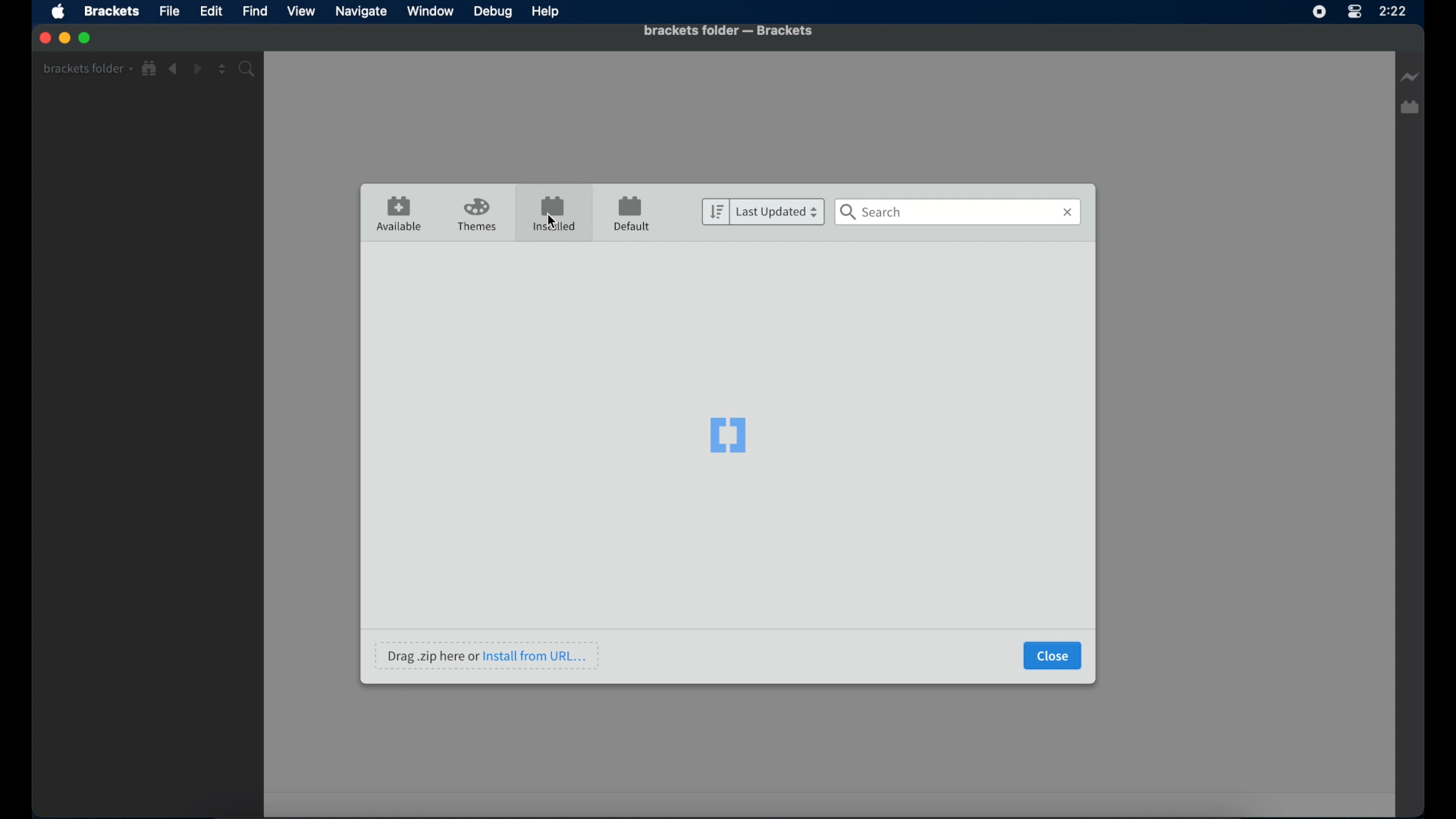  I want to click on minimize, so click(64, 37).